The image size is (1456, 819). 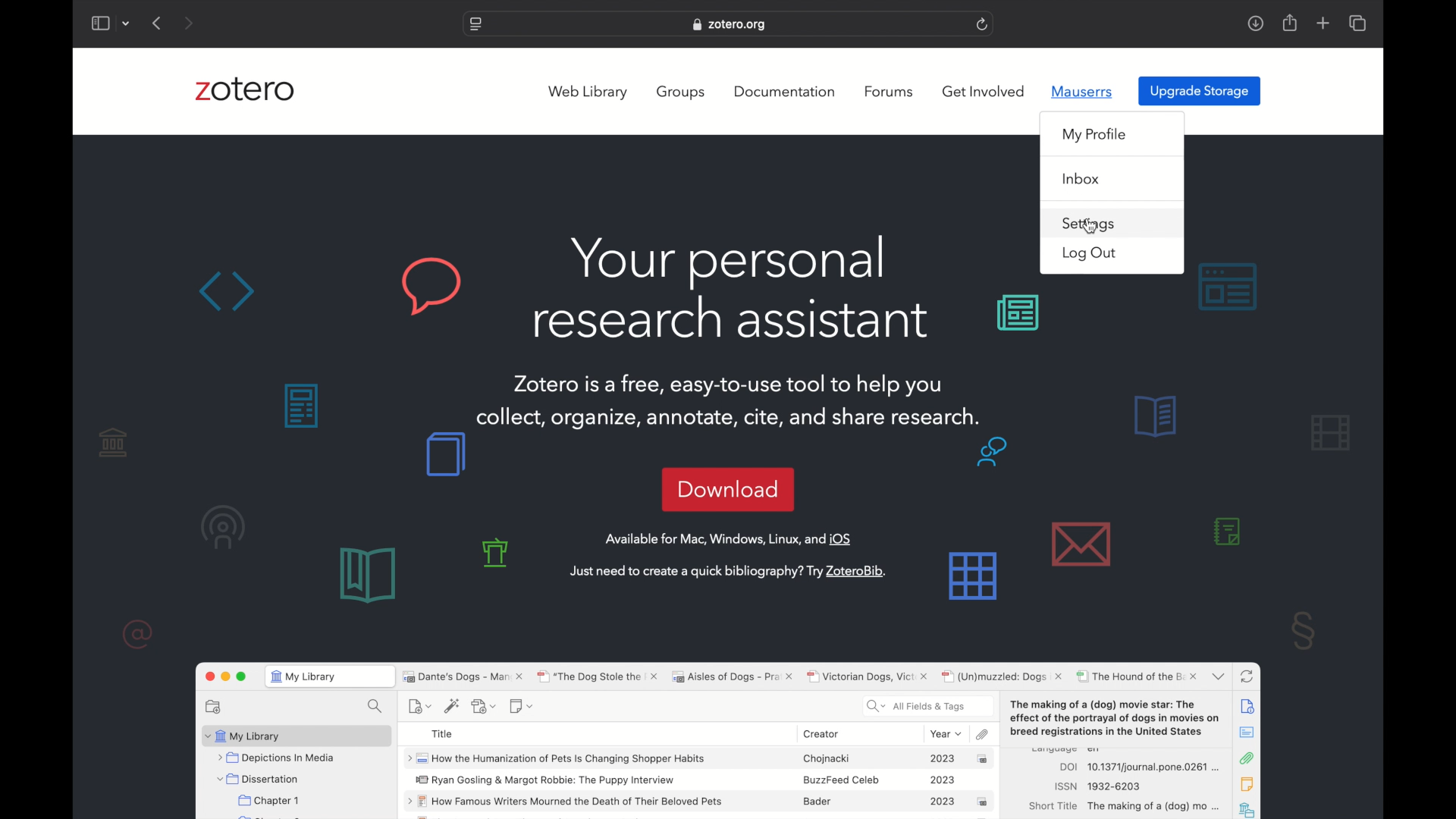 What do you see at coordinates (682, 93) in the screenshot?
I see `groups` at bounding box center [682, 93].